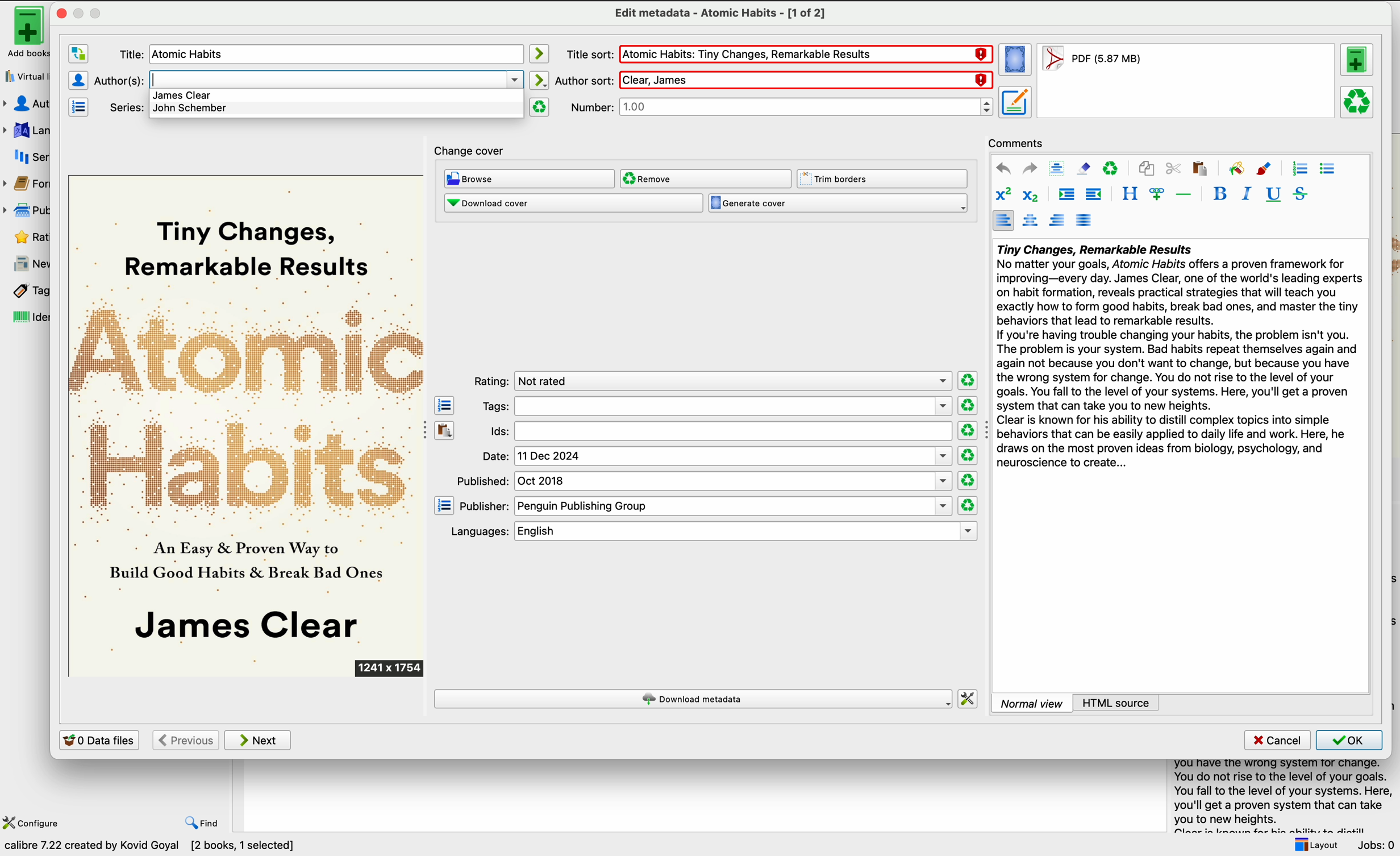 The width and height of the screenshot is (1400, 856). What do you see at coordinates (444, 405) in the screenshot?
I see `open the tag editor` at bounding box center [444, 405].